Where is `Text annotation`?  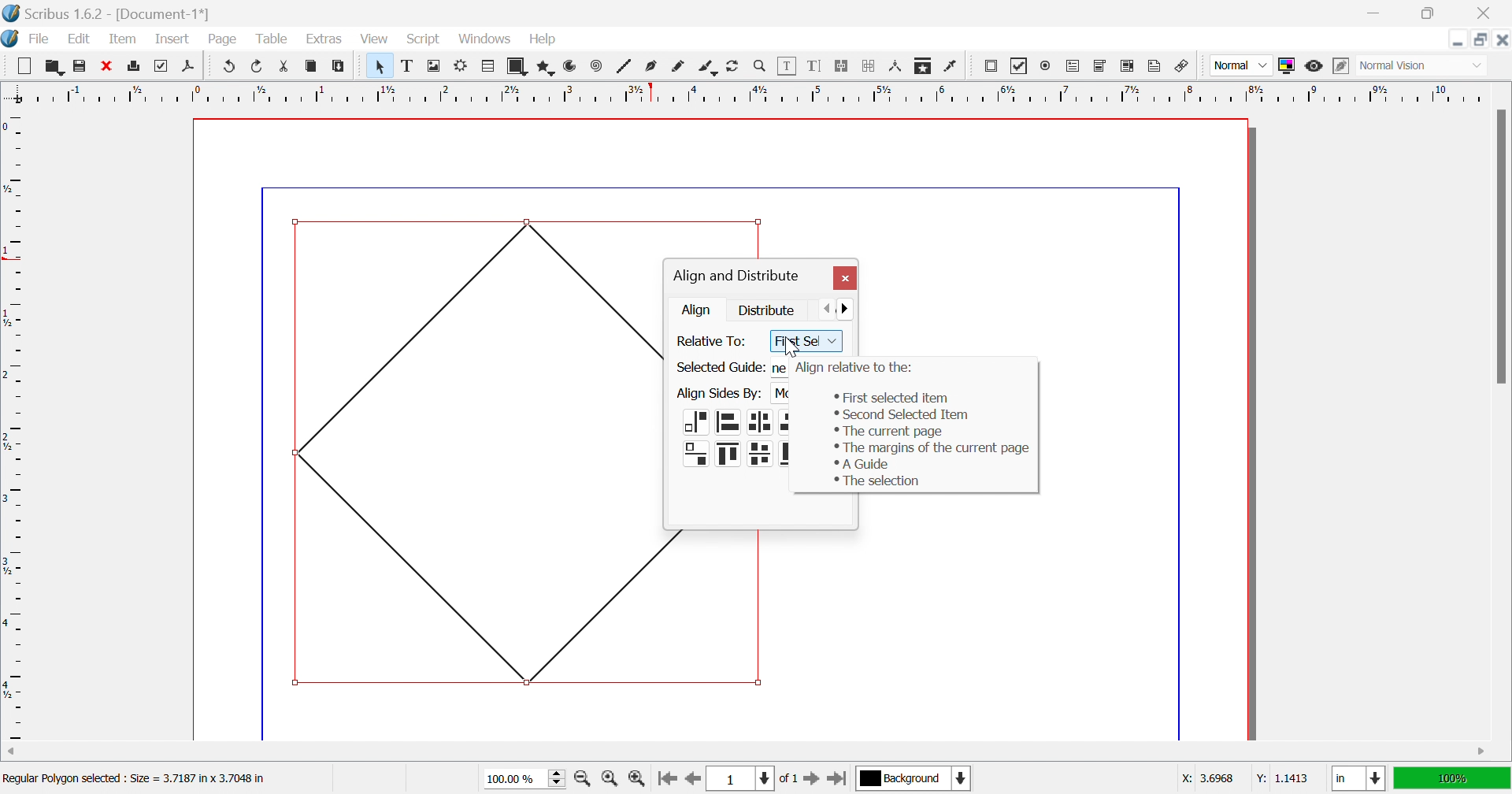
Text annotation is located at coordinates (1154, 66).